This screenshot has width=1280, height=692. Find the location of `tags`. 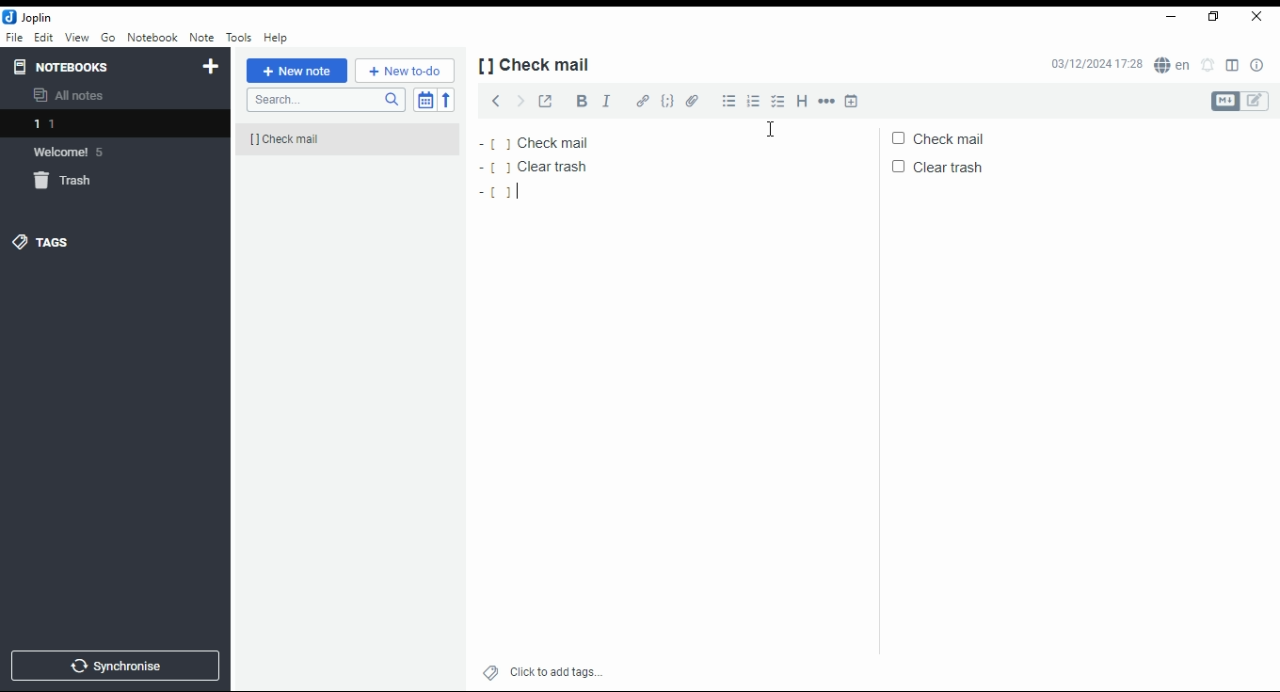

tags is located at coordinates (52, 247).